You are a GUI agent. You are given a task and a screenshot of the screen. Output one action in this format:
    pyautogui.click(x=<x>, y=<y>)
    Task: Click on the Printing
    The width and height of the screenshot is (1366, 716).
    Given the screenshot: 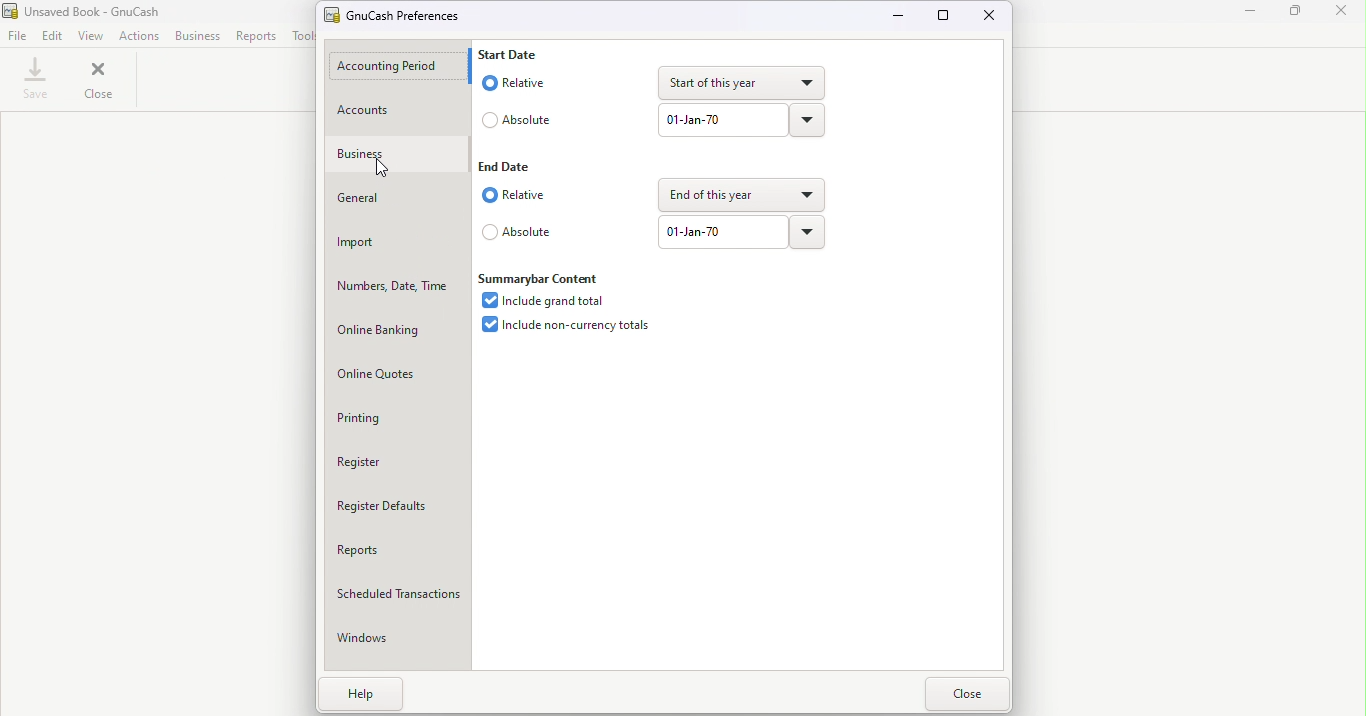 What is the action you would take?
    pyautogui.click(x=401, y=418)
    